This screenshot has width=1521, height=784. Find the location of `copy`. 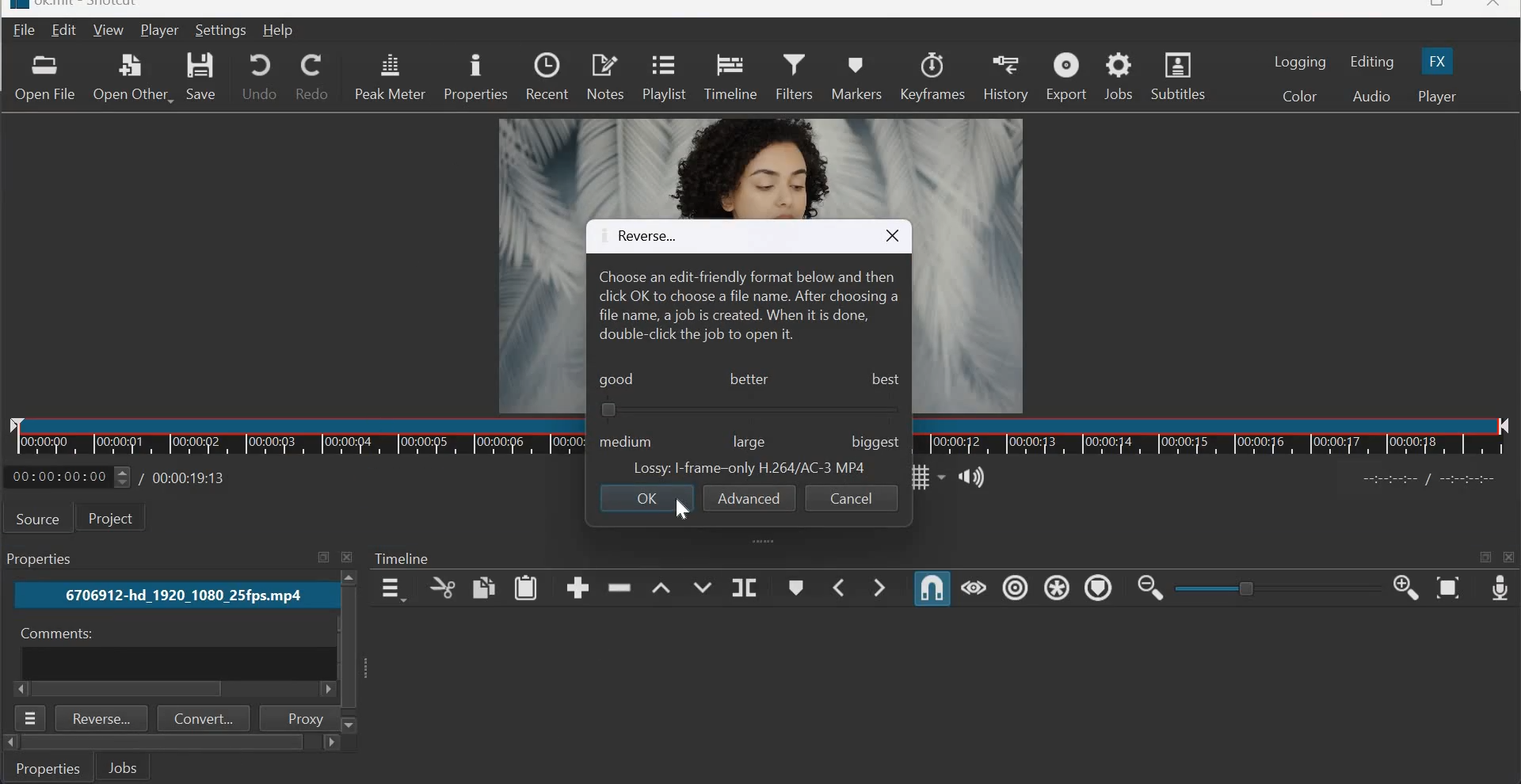

copy is located at coordinates (483, 587).